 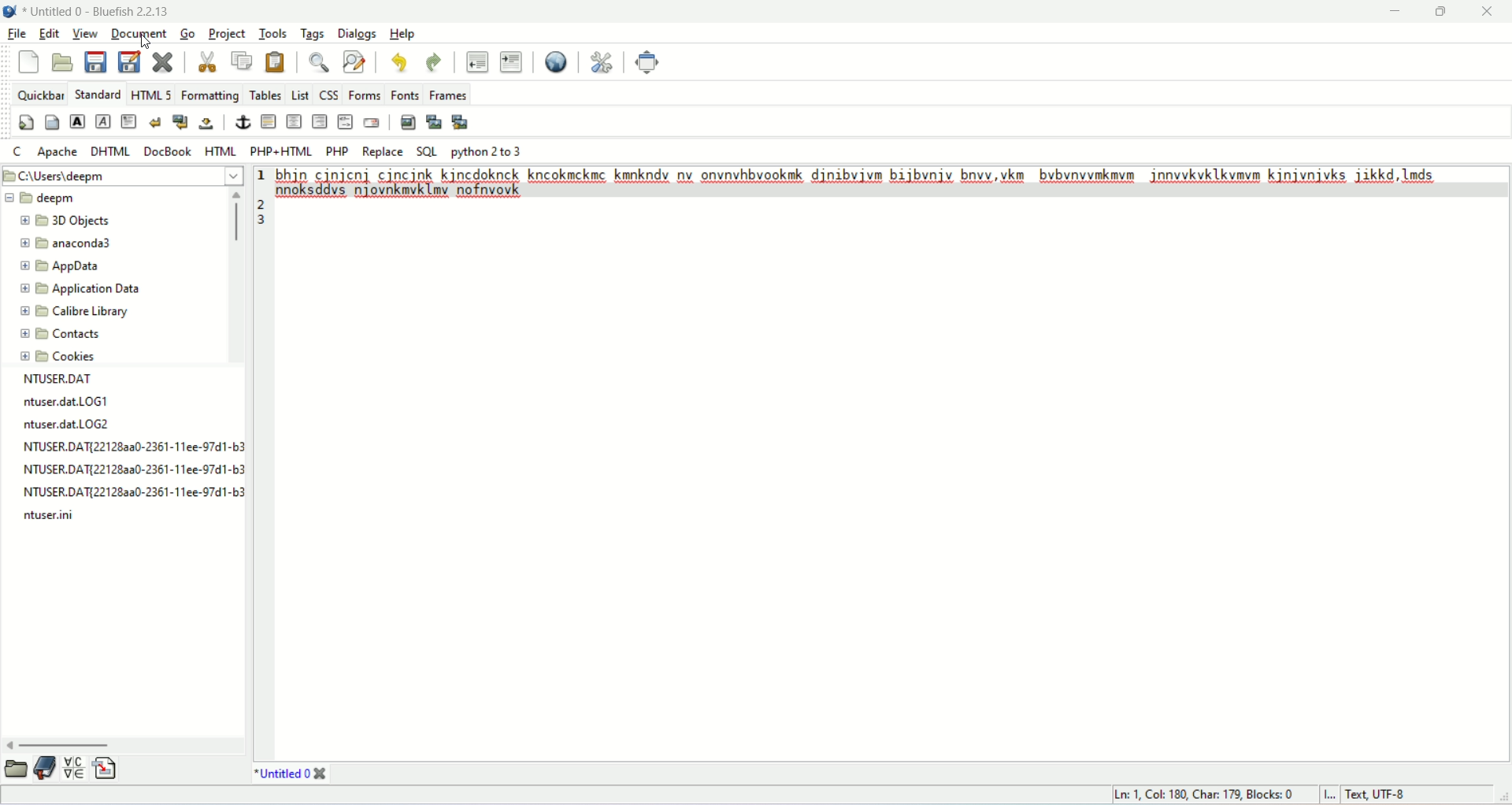 I want to click on quickstart, so click(x=25, y=123).